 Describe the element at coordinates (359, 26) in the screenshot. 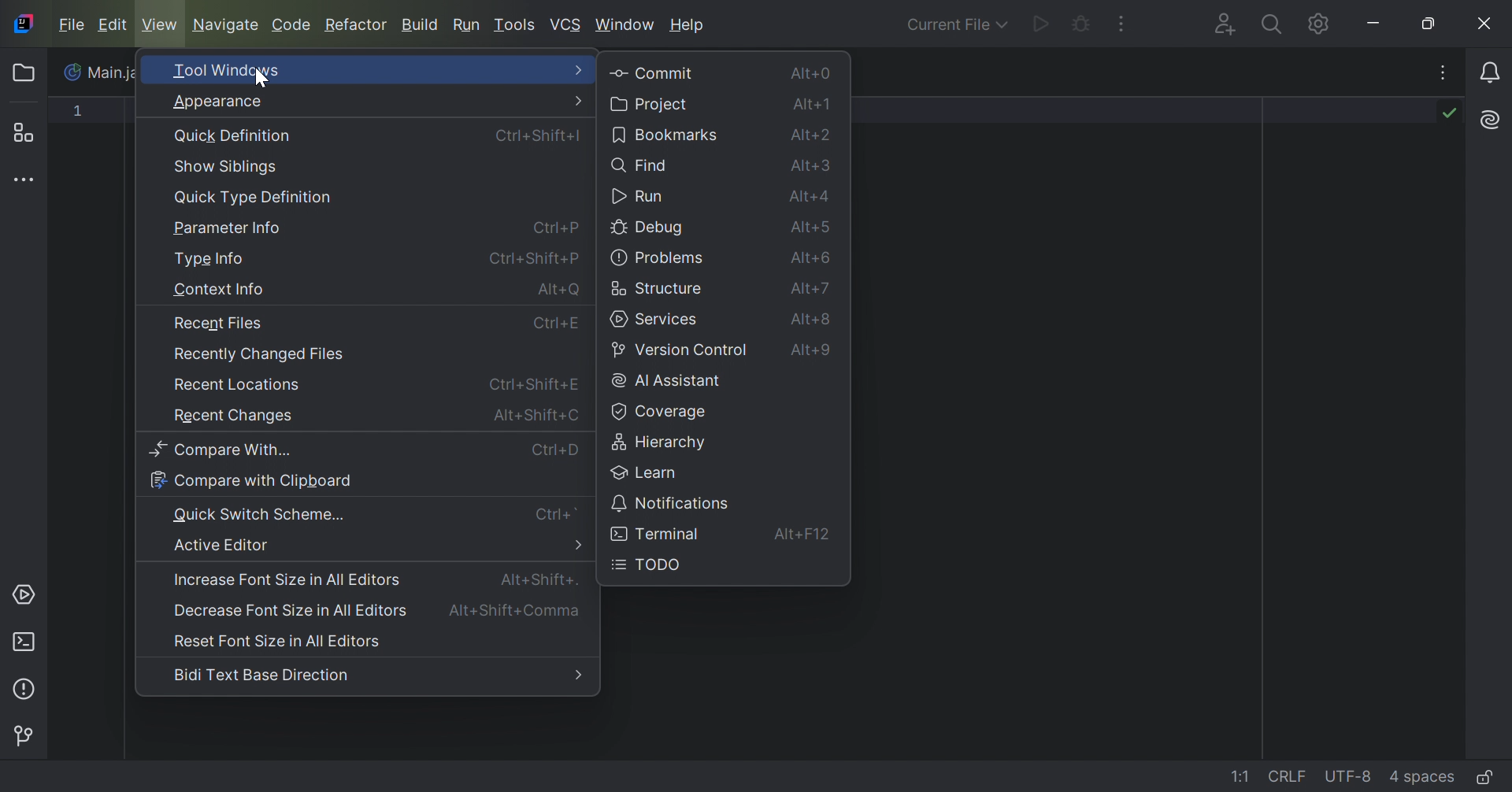

I see `Refactor` at that location.